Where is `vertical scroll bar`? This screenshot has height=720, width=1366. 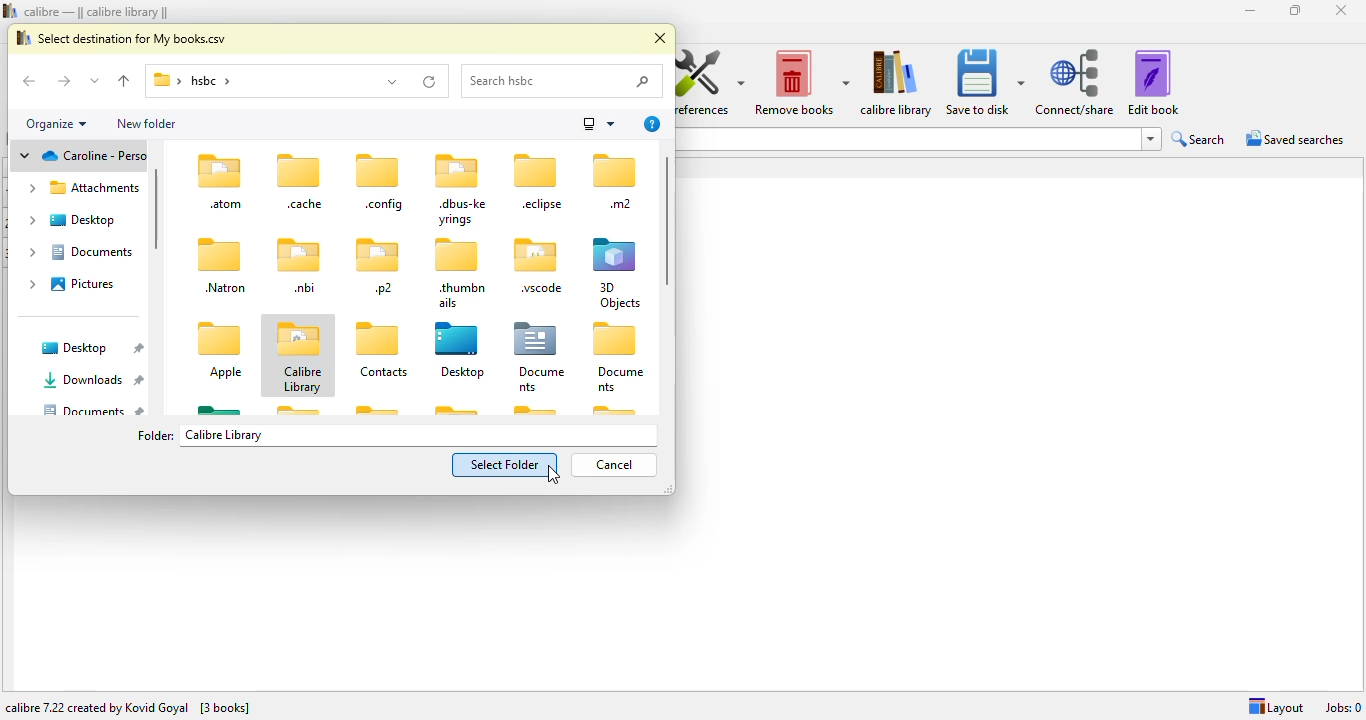 vertical scroll bar is located at coordinates (667, 219).